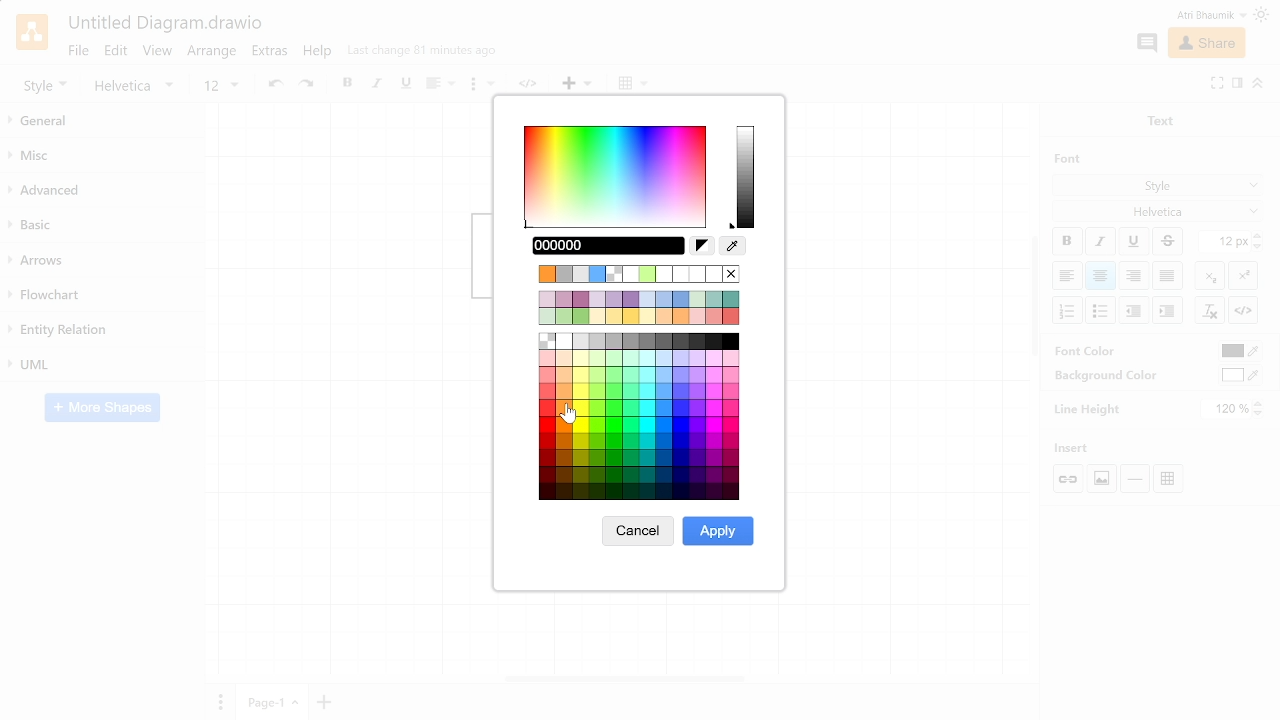 The image size is (1280, 720). What do you see at coordinates (349, 85) in the screenshot?
I see `bold` at bounding box center [349, 85].